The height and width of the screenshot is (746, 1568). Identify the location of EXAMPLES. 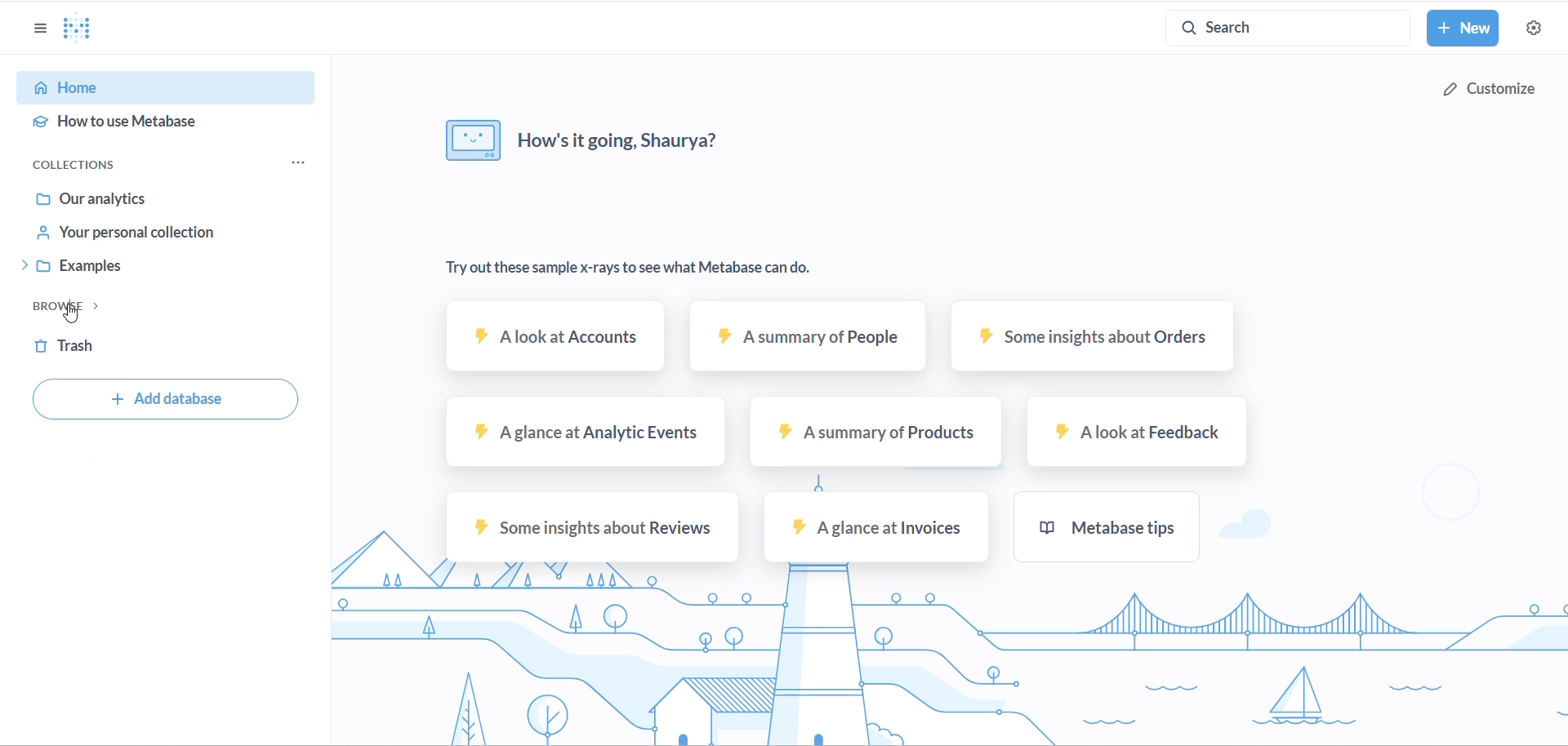
(121, 269).